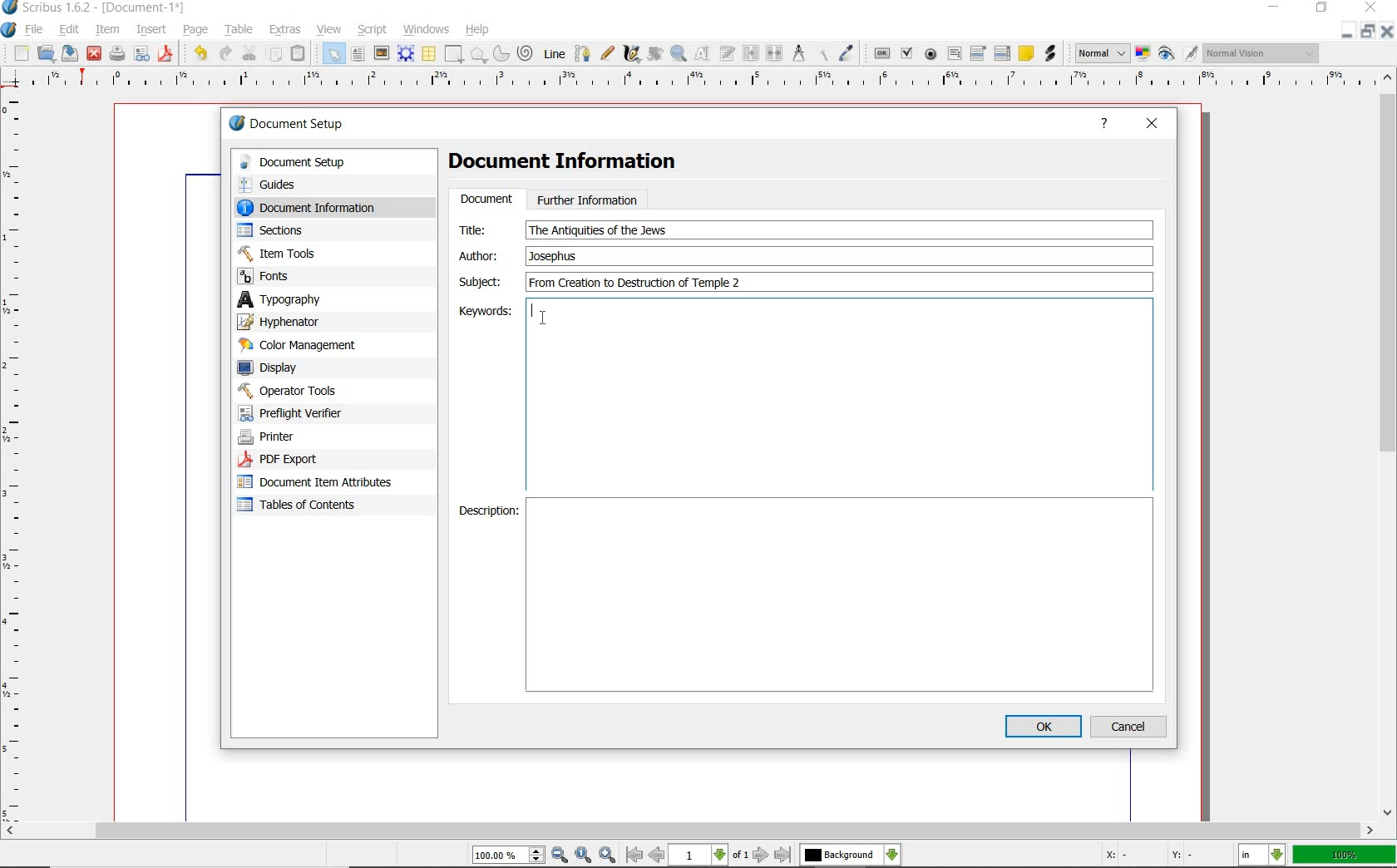 The height and width of the screenshot is (868, 1397). I want to click on Document Information, so click(576, 164).